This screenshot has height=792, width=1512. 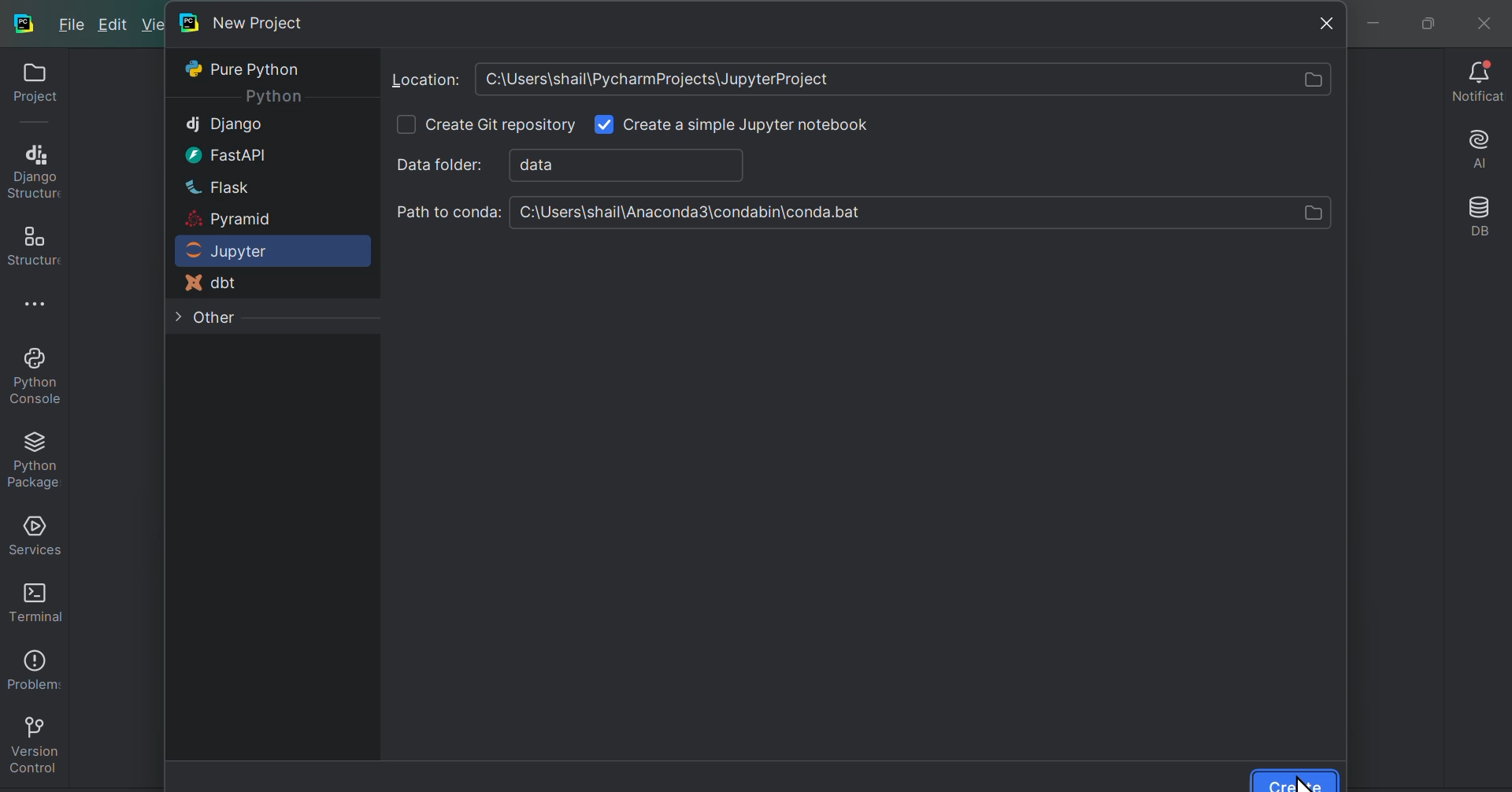 What do you see at coordinates (230, 218) in the screenshot?
I see `Pyramid` at bounding box center [230, 218].